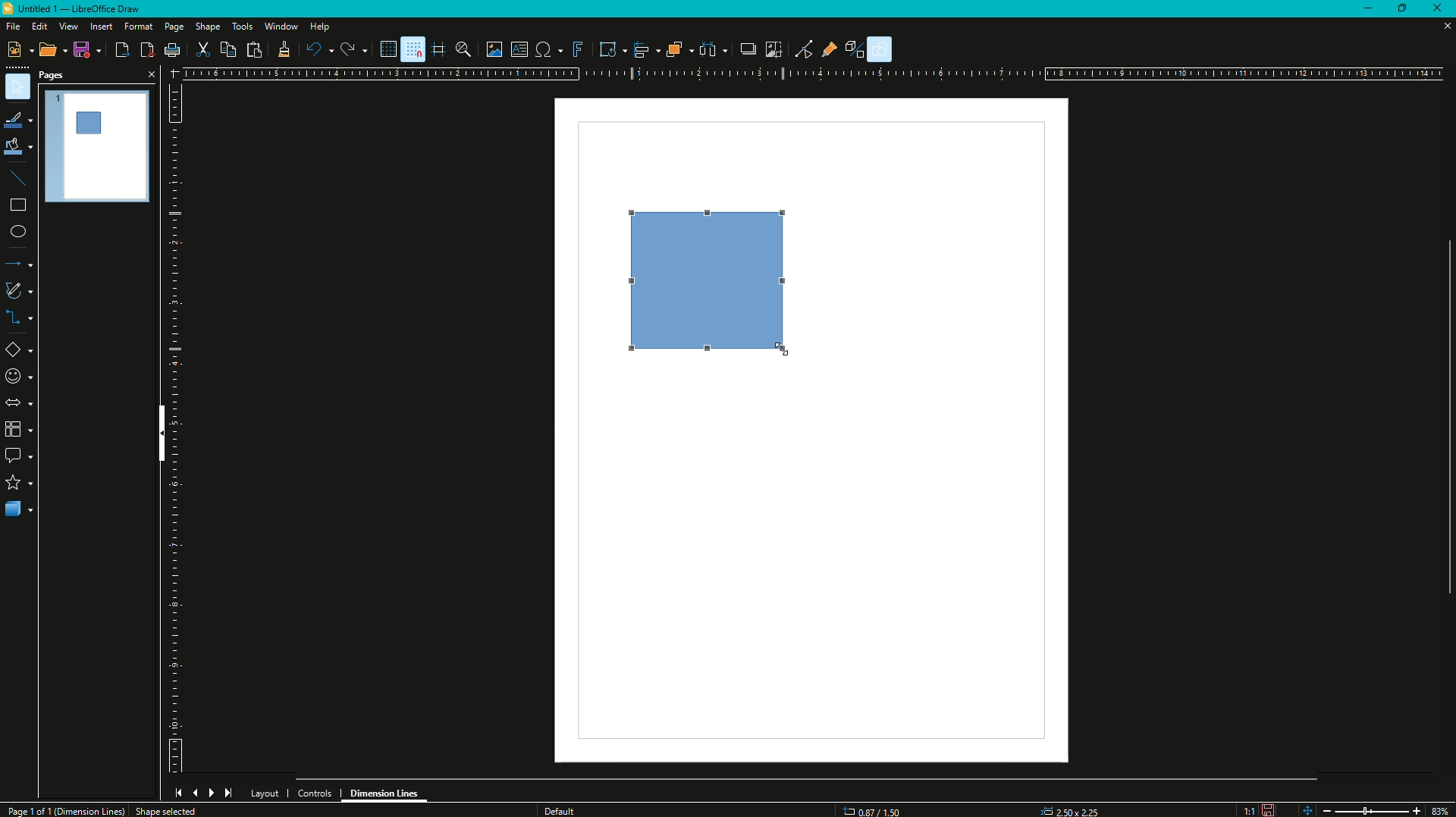  What do you see at coordinates (203, 49) in the screenshot?
I see `Cut` at bounding box center [203, 49].